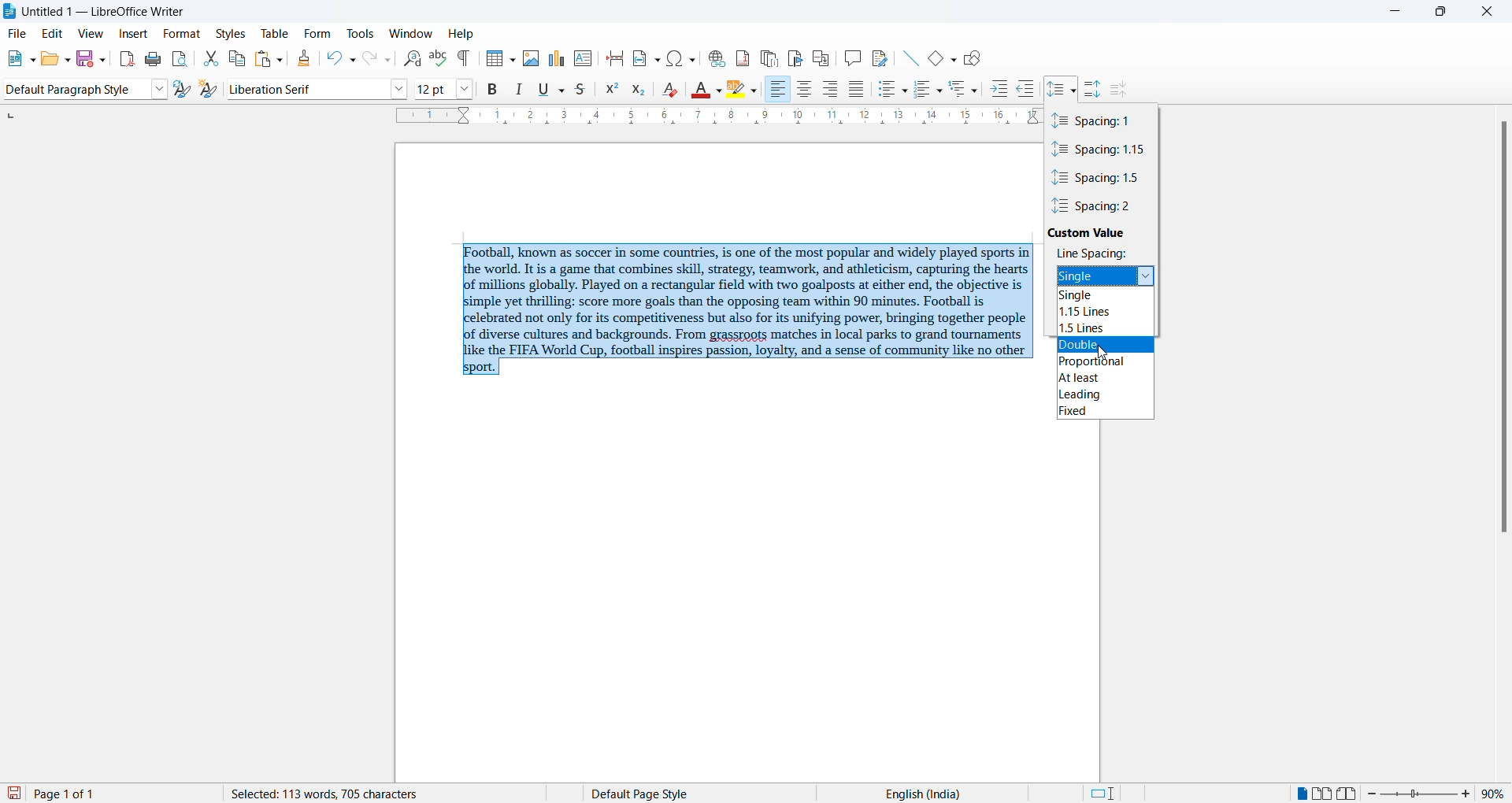  I want to click on toggle ordered list, so click(923, 90).